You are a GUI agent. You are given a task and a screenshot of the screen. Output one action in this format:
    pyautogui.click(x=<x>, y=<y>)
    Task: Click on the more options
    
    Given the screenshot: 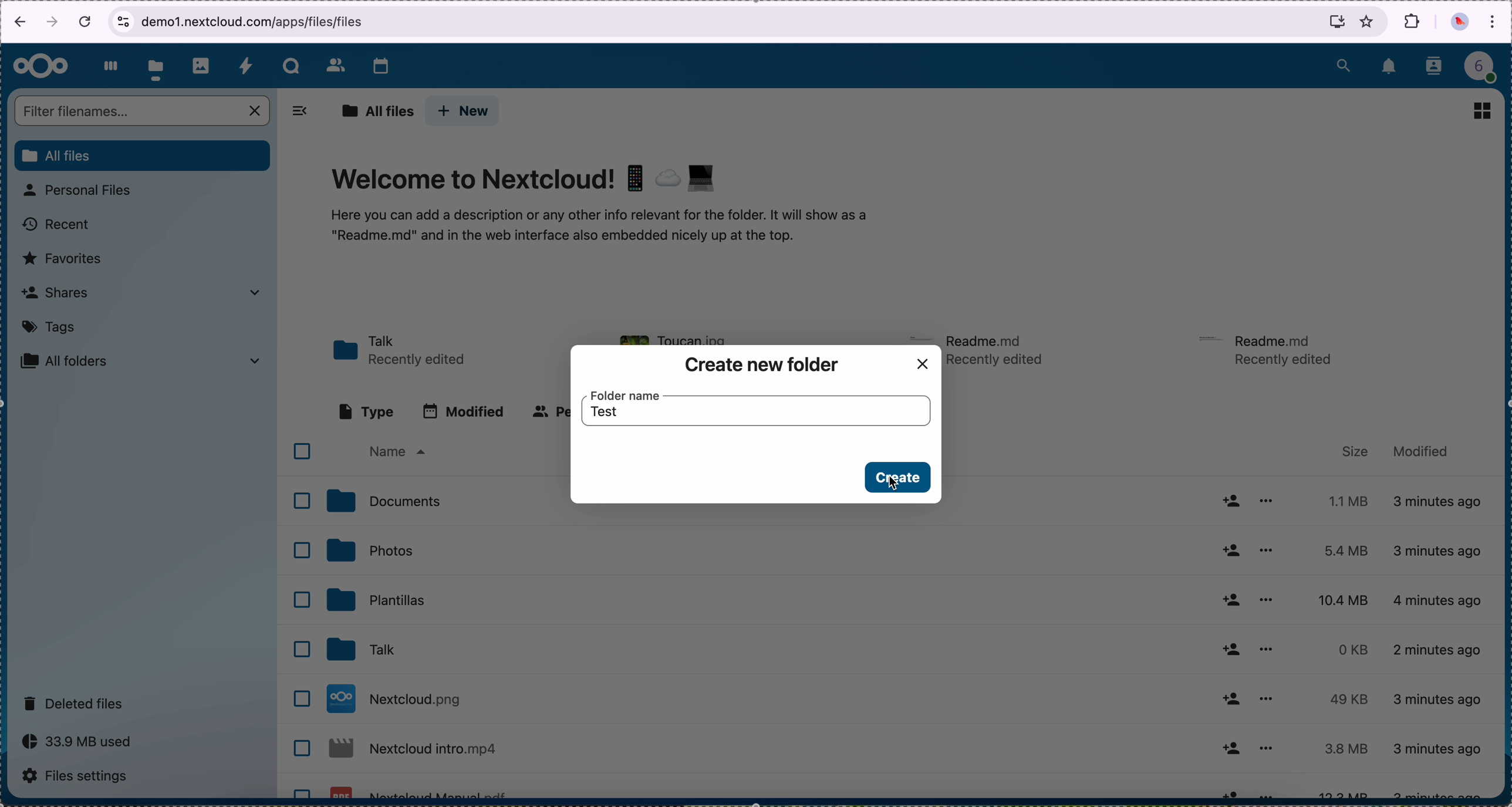 What is the action you would take?
    pyautogui.click(x=1269, y=501)
    